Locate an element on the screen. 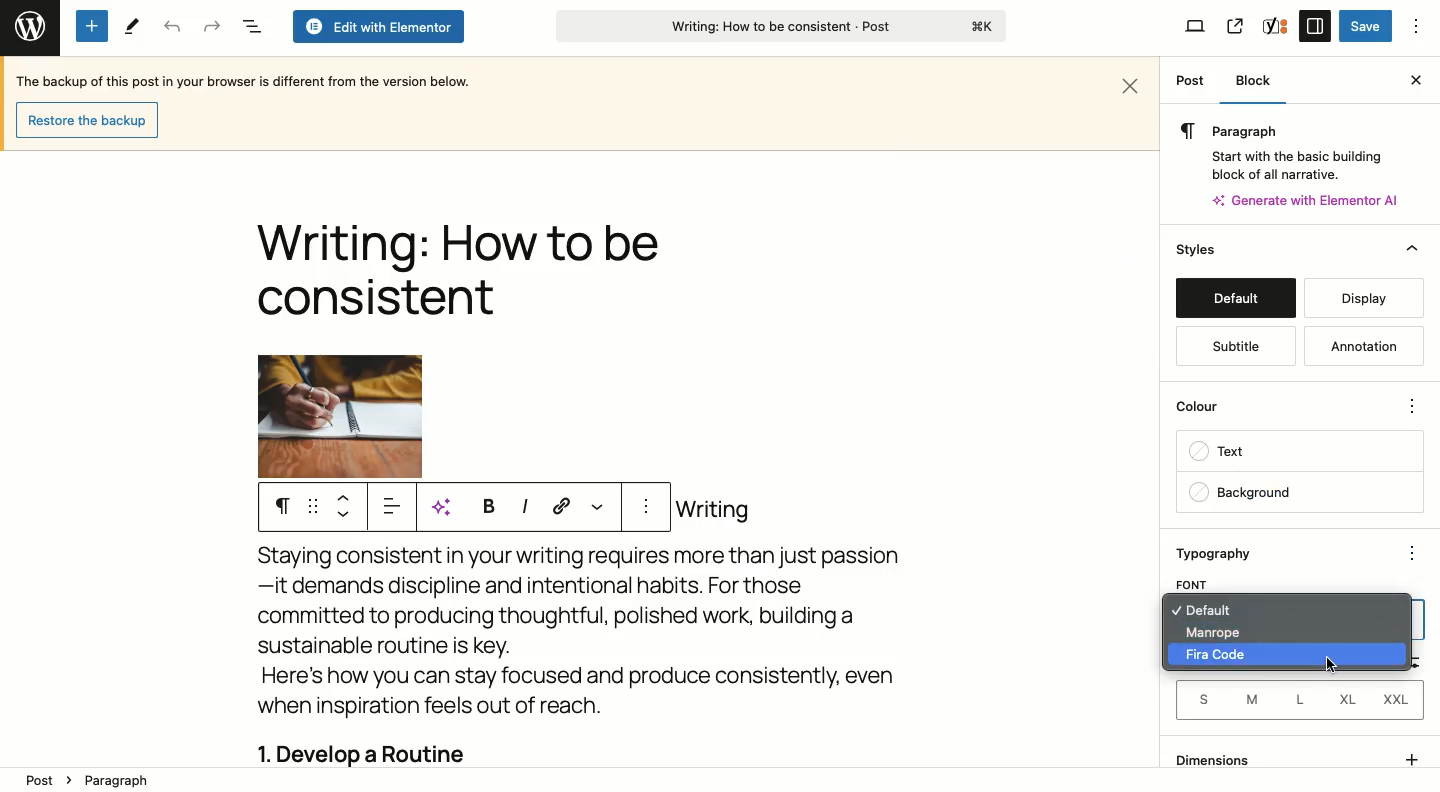 This screenshot has width=1440, height=792. Drag is located at coordinates (313, 507).